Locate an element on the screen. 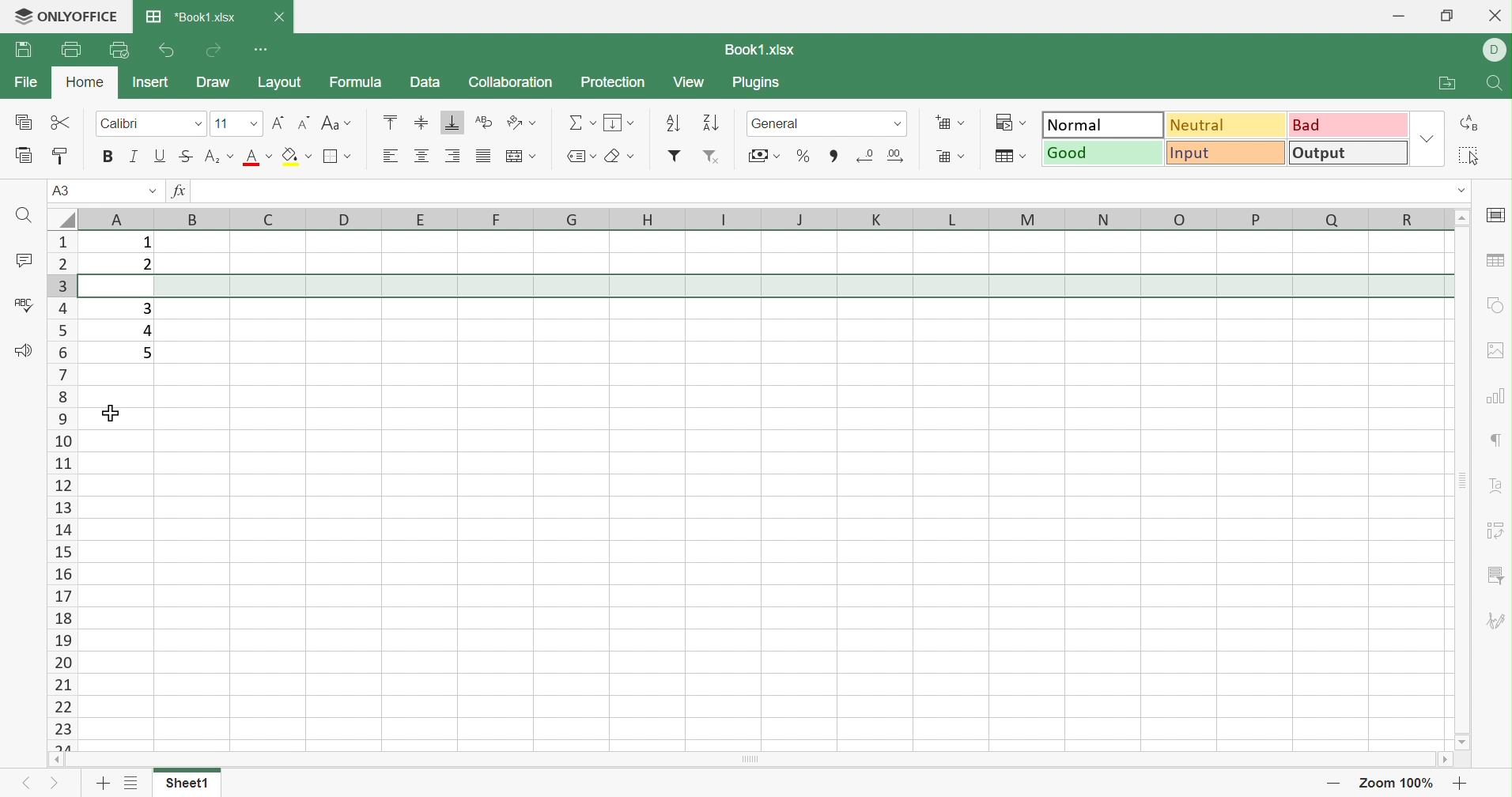 The width and height of the screenshot is (1512, 797). A1 is located at coordinates (63, 190).